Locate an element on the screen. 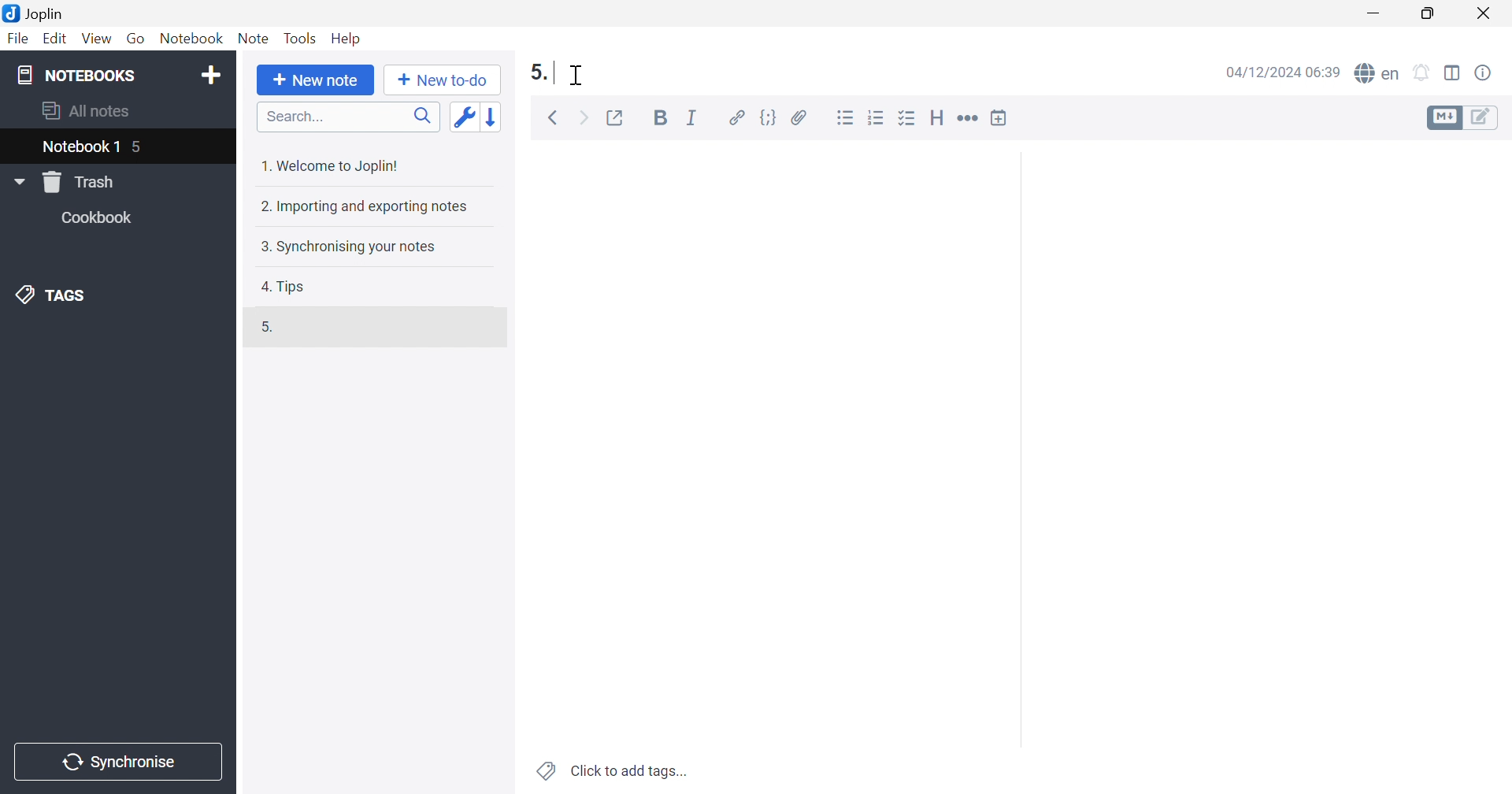 Image resolution: width=1512 pixels, height=794 pixels. Toggle sort order field is located at coordinates (467, 118).